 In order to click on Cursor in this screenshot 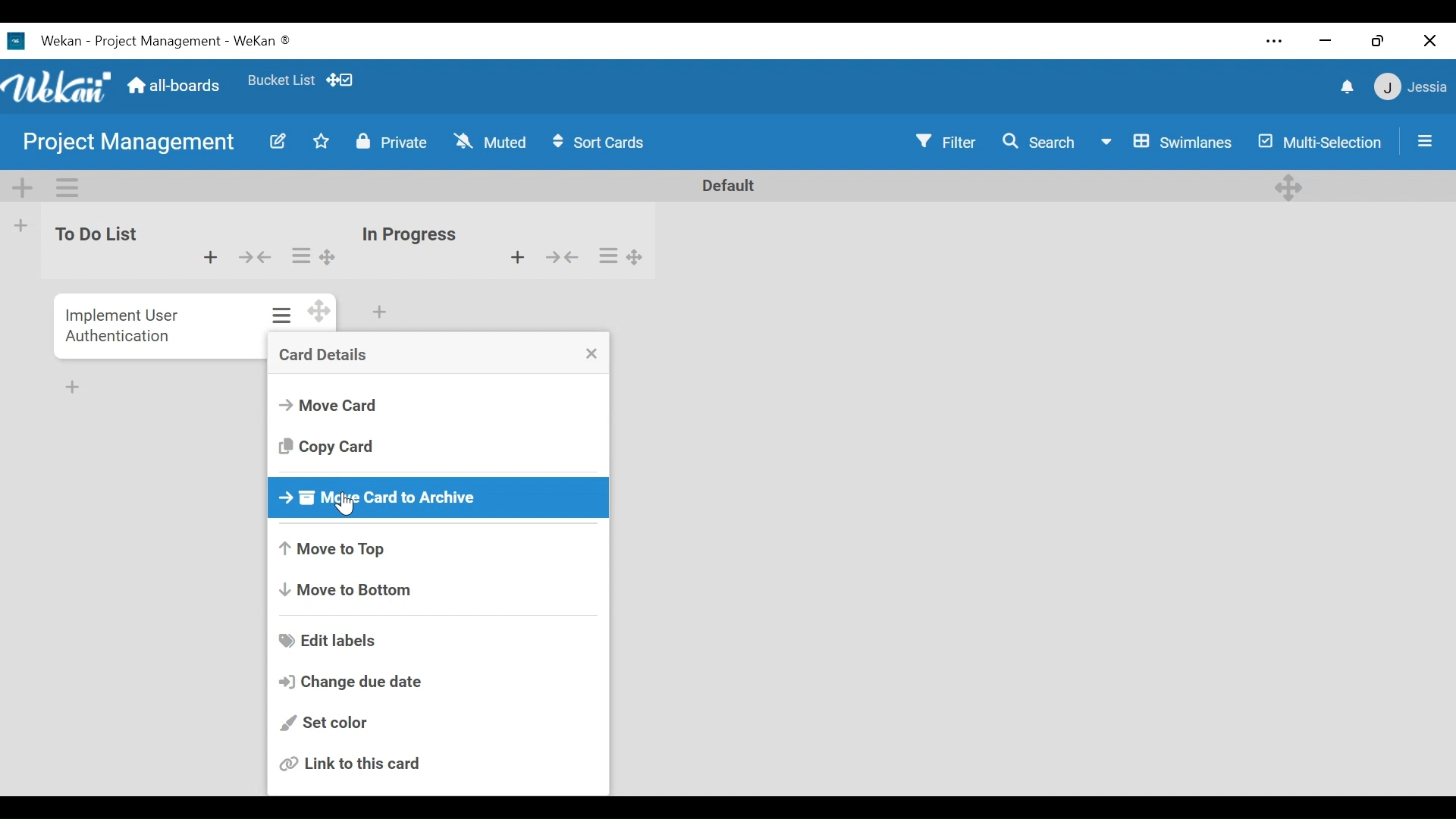, I will do `click(347, 503)`.